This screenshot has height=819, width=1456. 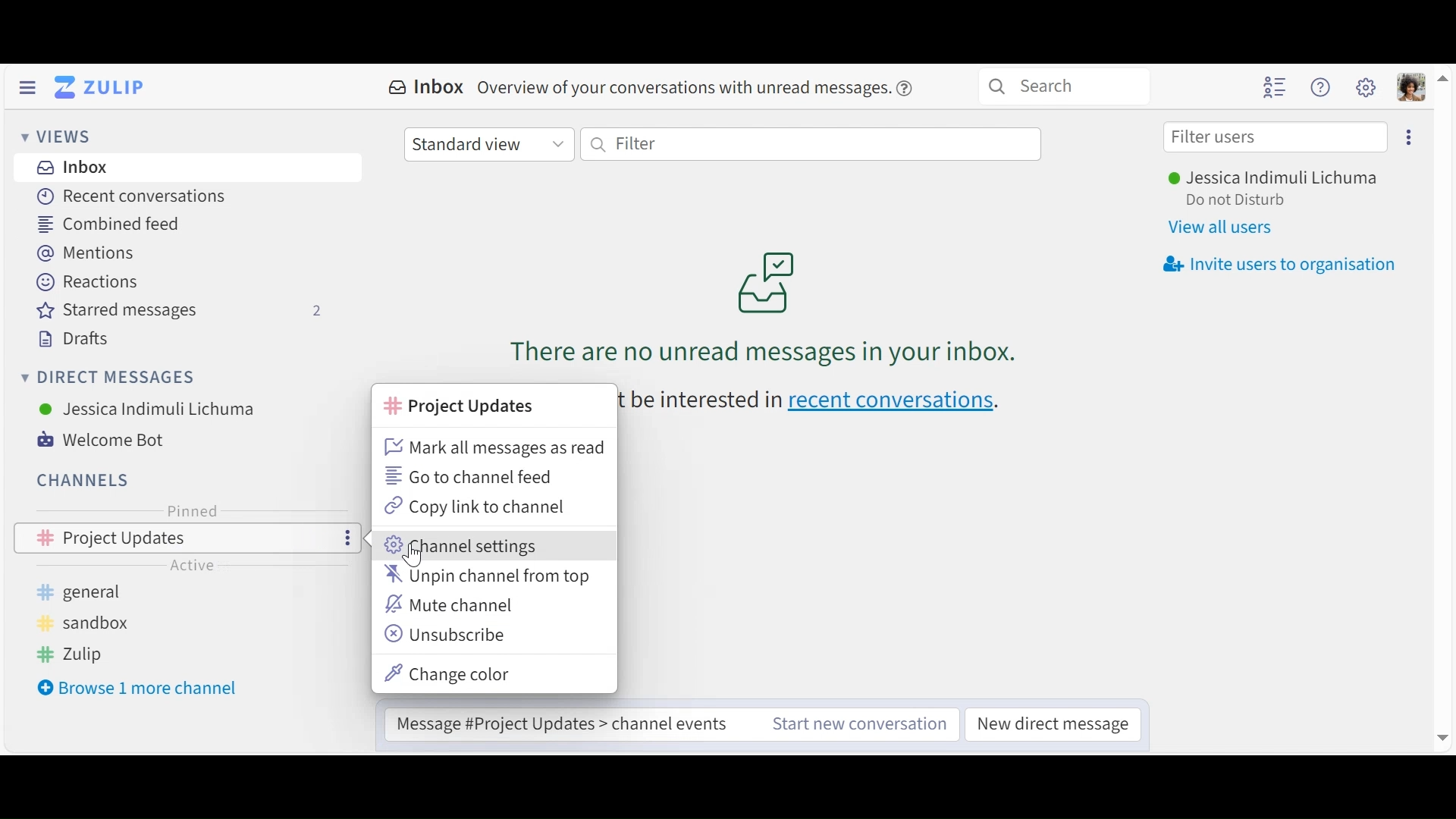 I want to click on Compose message, so click(x=566, y=719).